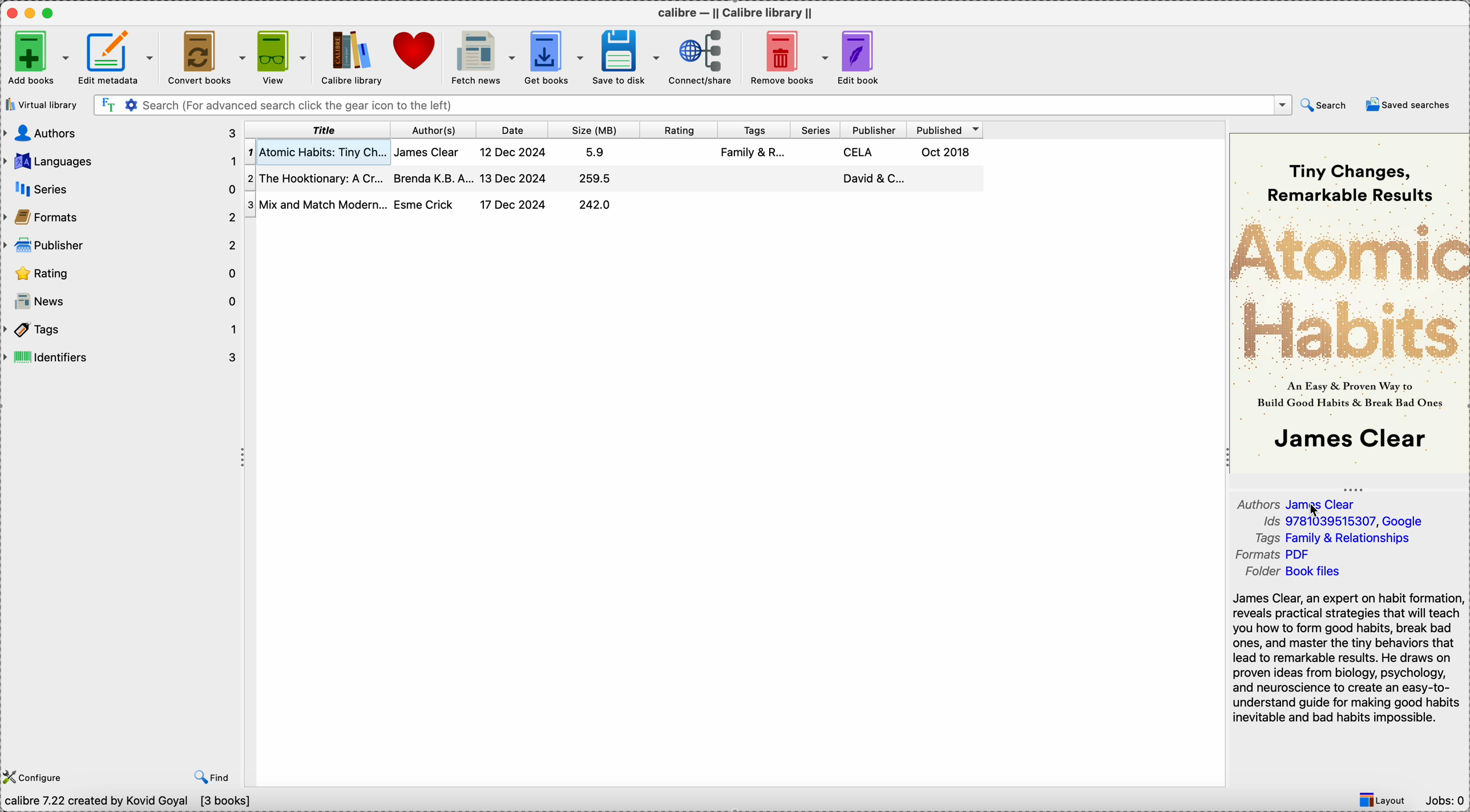  I want to click on title, so click(321, 129).